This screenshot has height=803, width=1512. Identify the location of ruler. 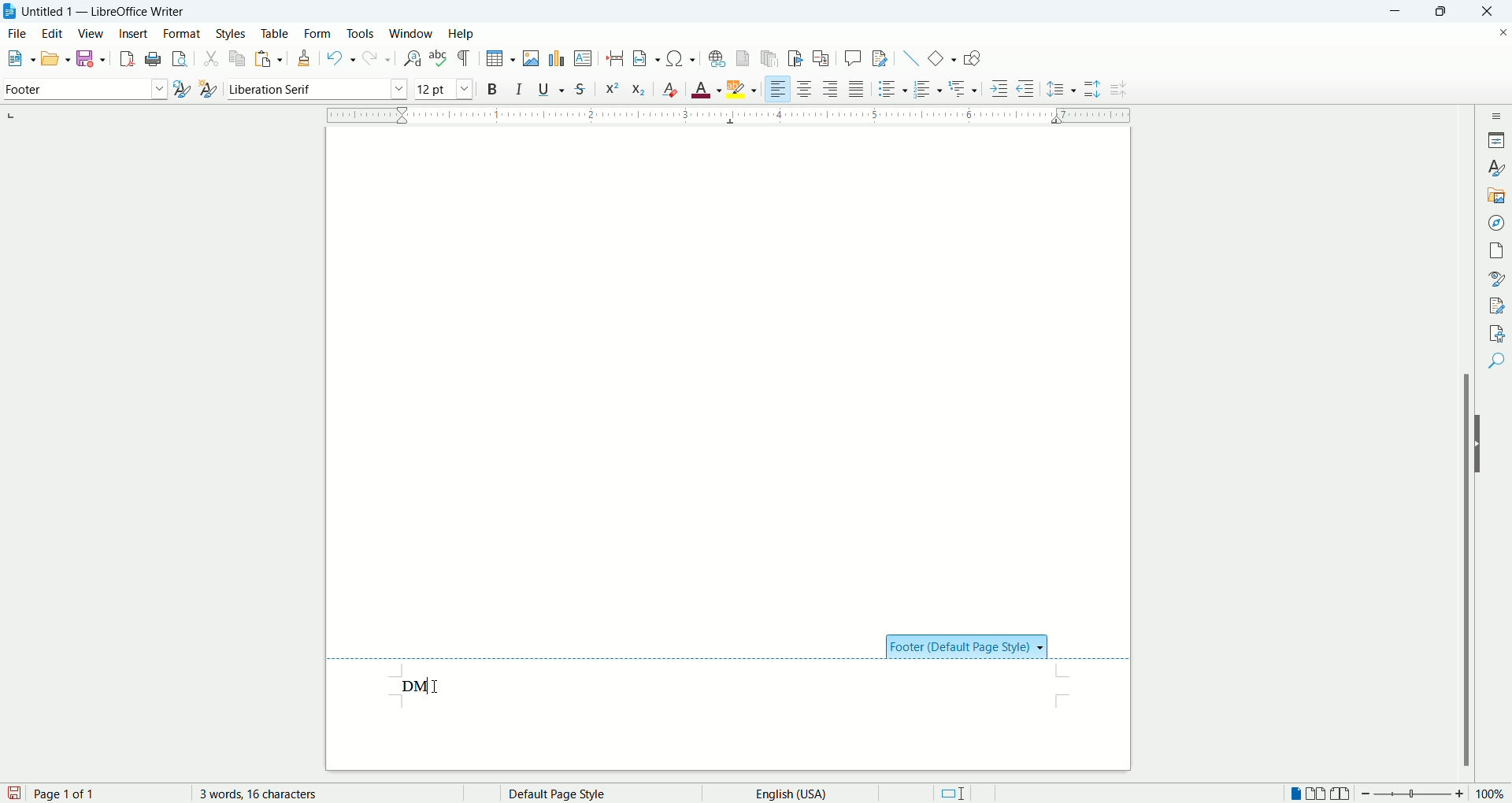
(728, 113).